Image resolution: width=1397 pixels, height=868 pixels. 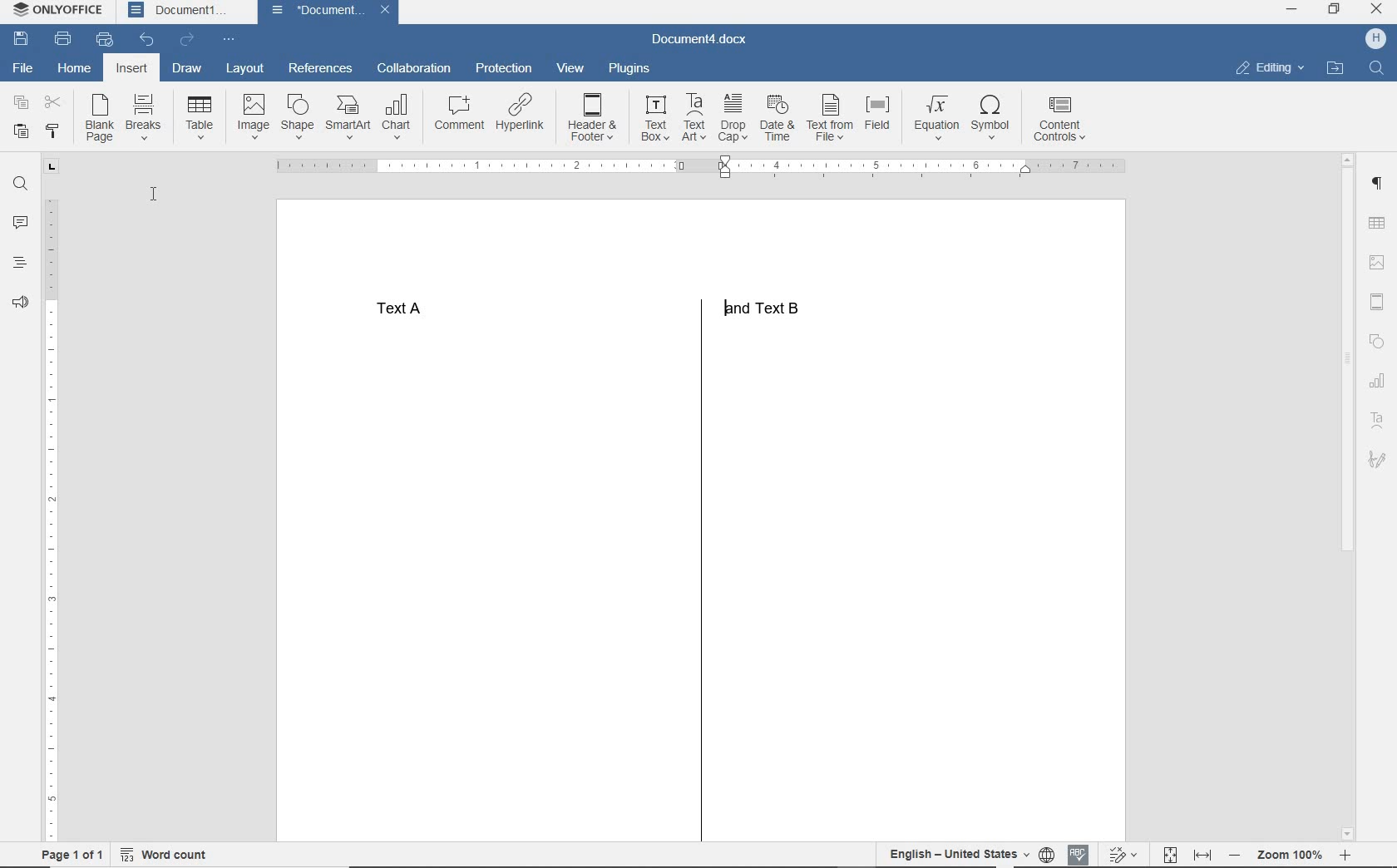 What do you see at coordinates (101, 119) in the screenshot?
I see `BLANK PAGE` at bounding box center [101, 119].